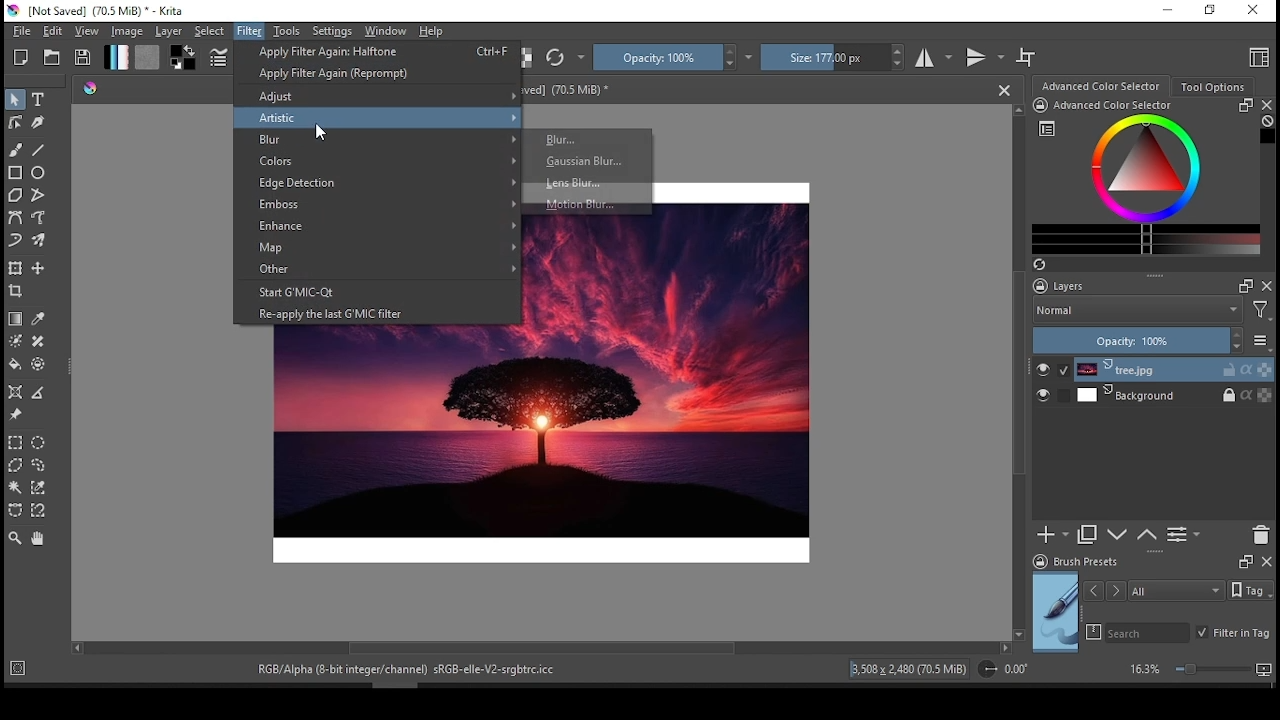 This screenshot has width=1280, height=720. Describe the element at coordinates (44, 173) in the screenshot. I see `ellipse tool` at that location.